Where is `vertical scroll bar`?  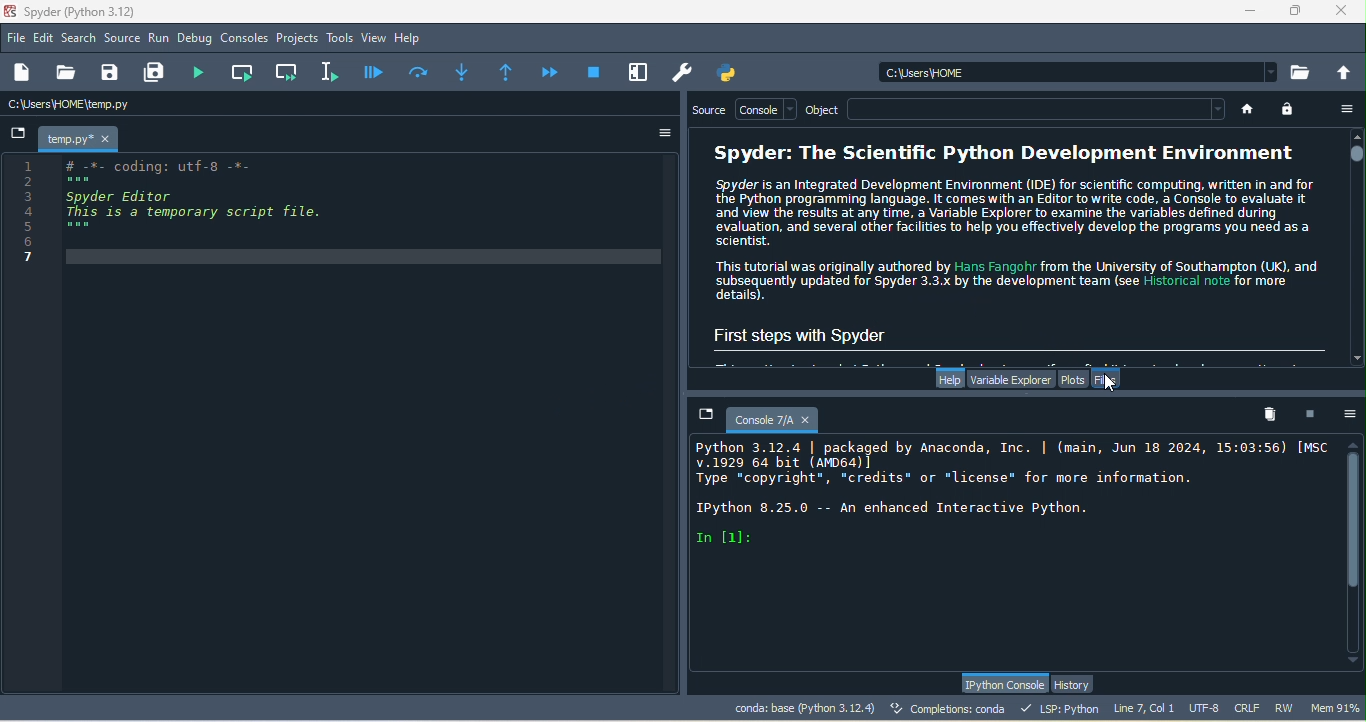 vertical scroll bar is located at coordinates (1355, 244).